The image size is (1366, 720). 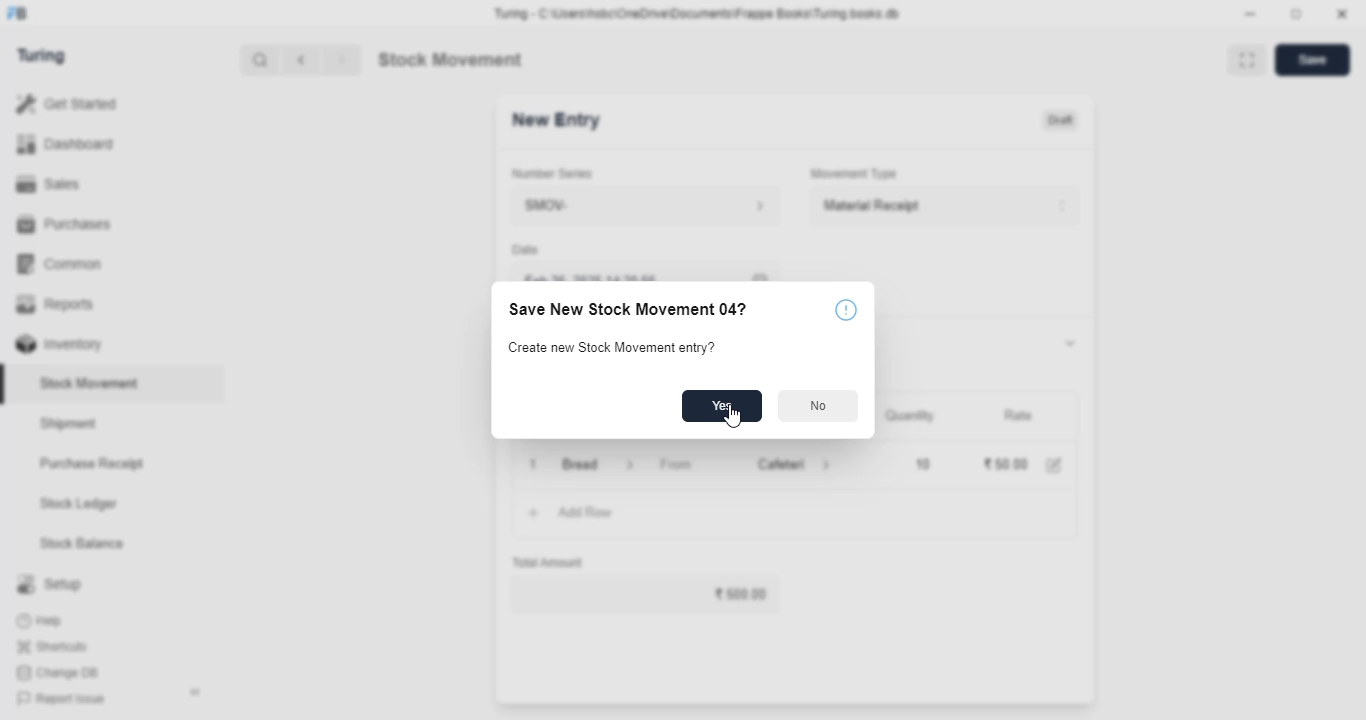 I want to click on save, so click(x=1313, y=60).